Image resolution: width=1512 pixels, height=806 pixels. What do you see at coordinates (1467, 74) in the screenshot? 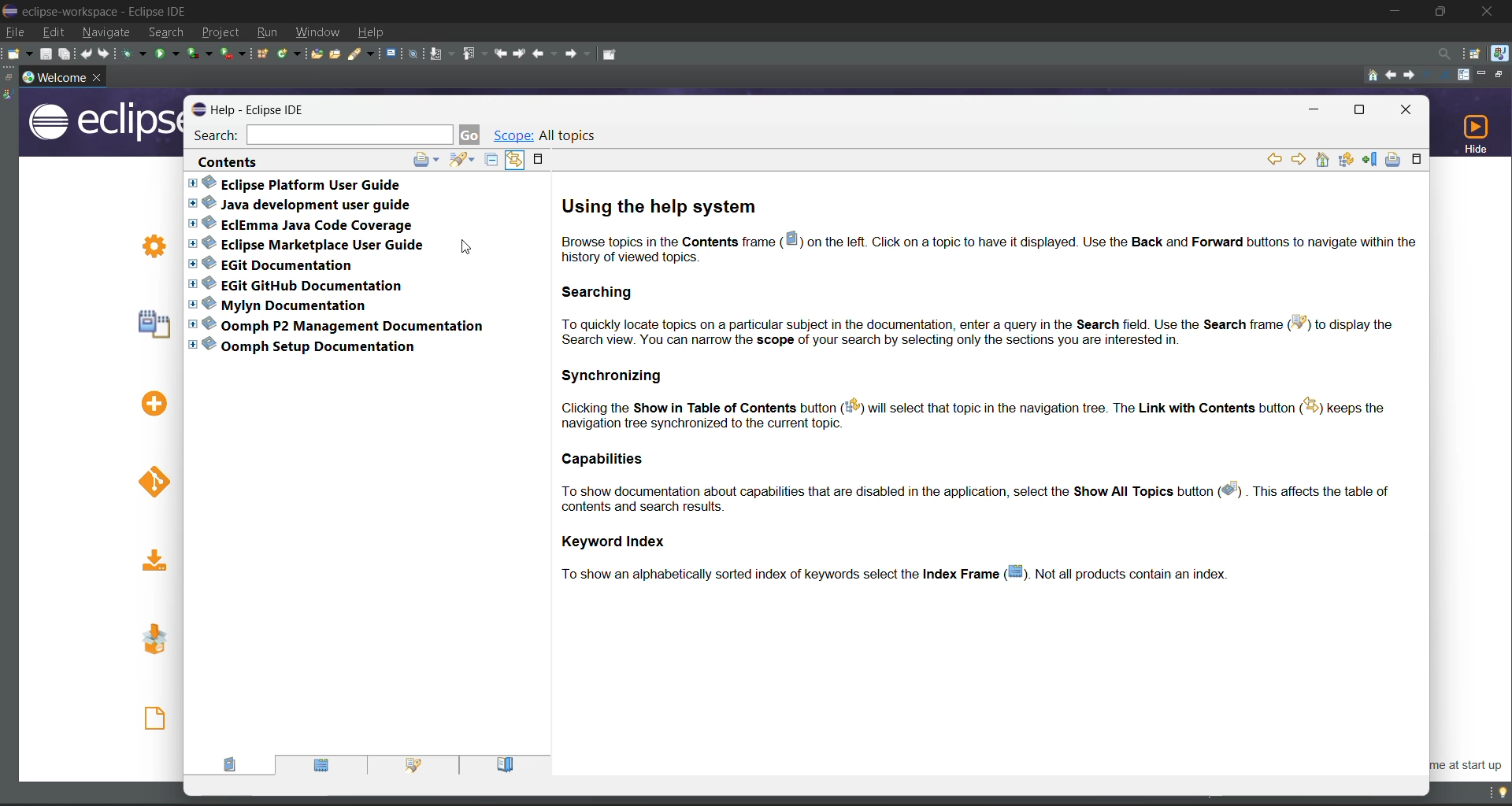
I see `customize page` at bounding box center [1467, 74].